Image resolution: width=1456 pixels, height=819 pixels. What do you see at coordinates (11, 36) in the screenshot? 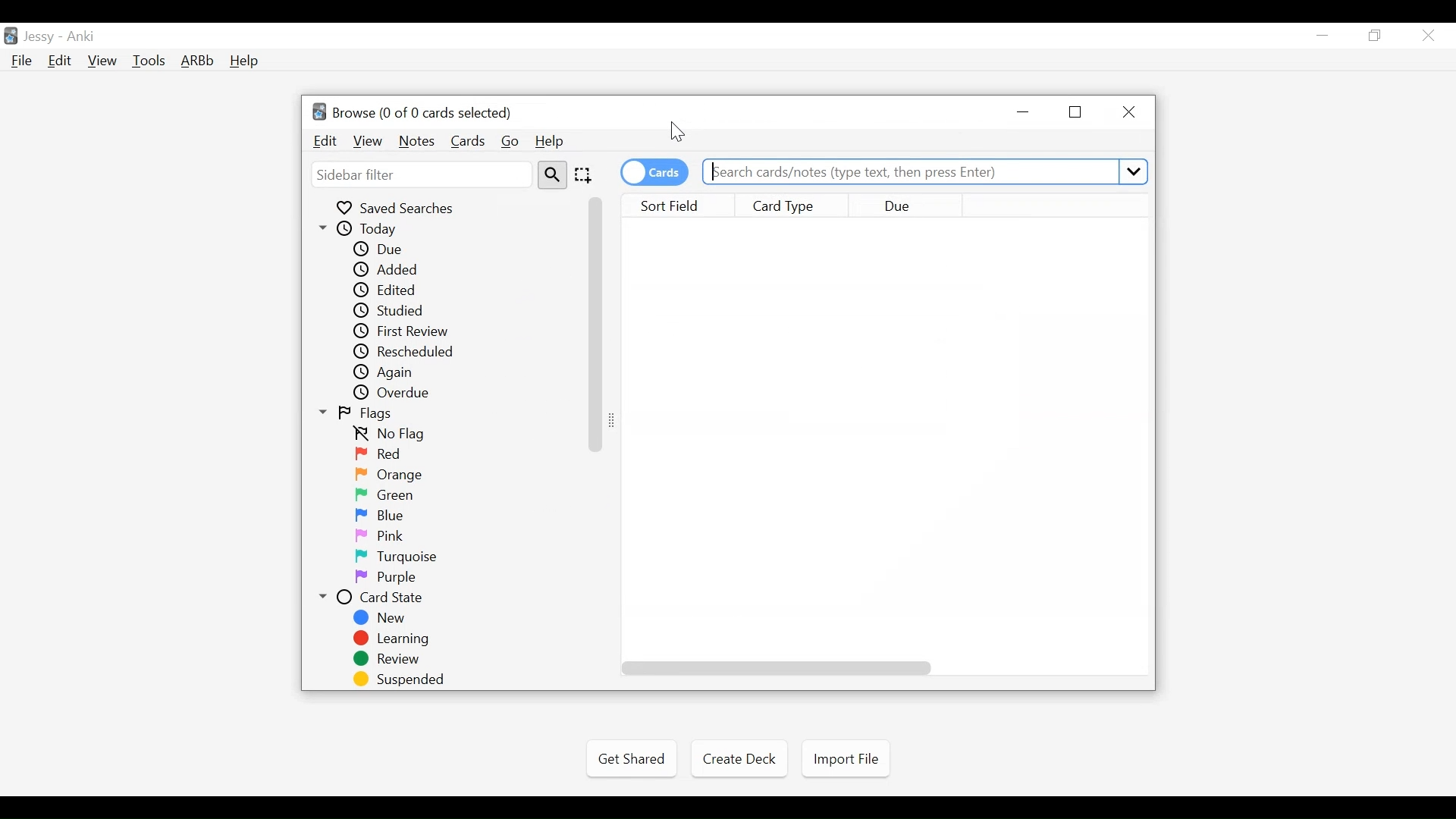
I see `Anki Desktop Icon` at bounding box center [11, 36].